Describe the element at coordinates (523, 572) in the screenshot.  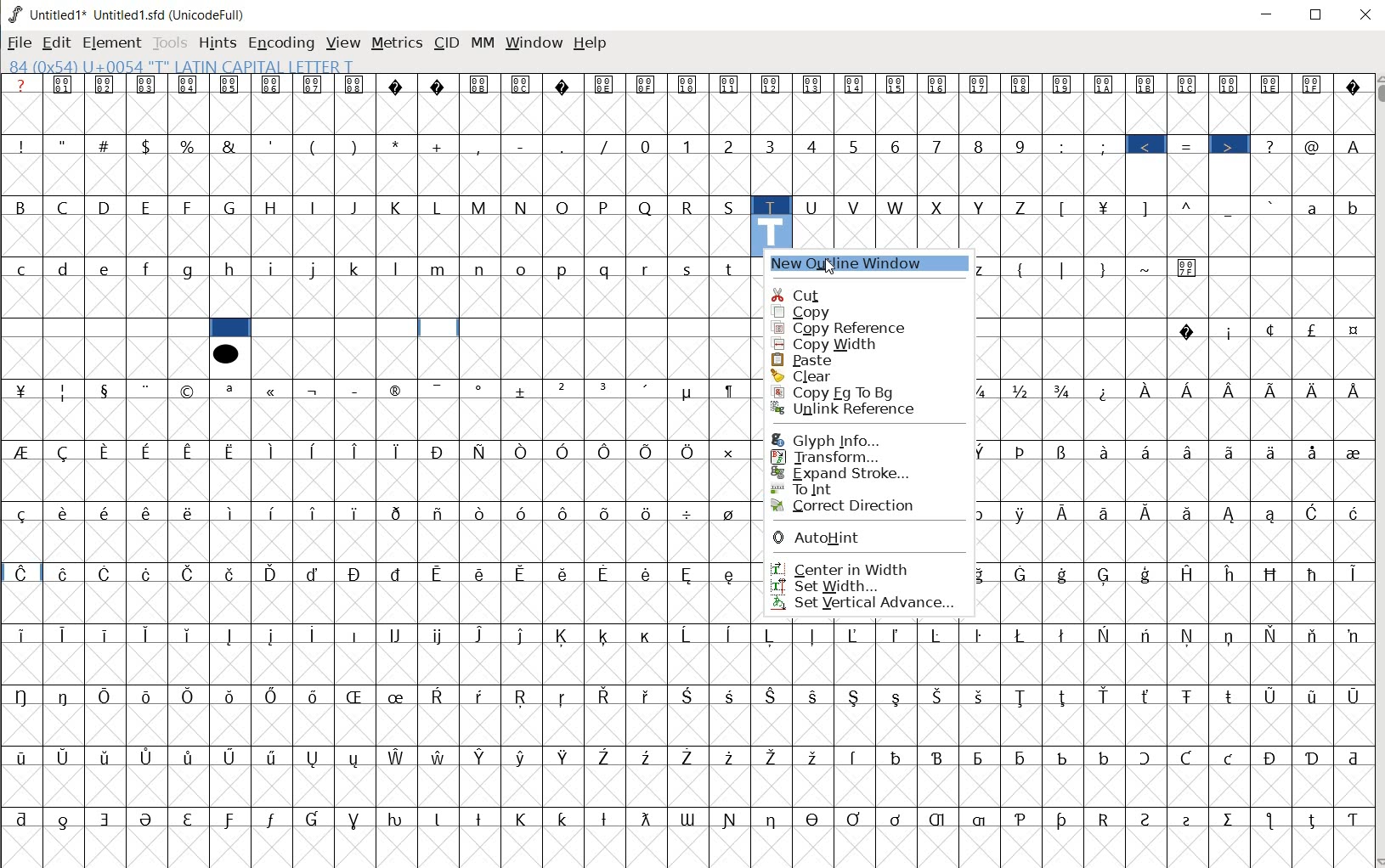
I see `Symbol` at that location.